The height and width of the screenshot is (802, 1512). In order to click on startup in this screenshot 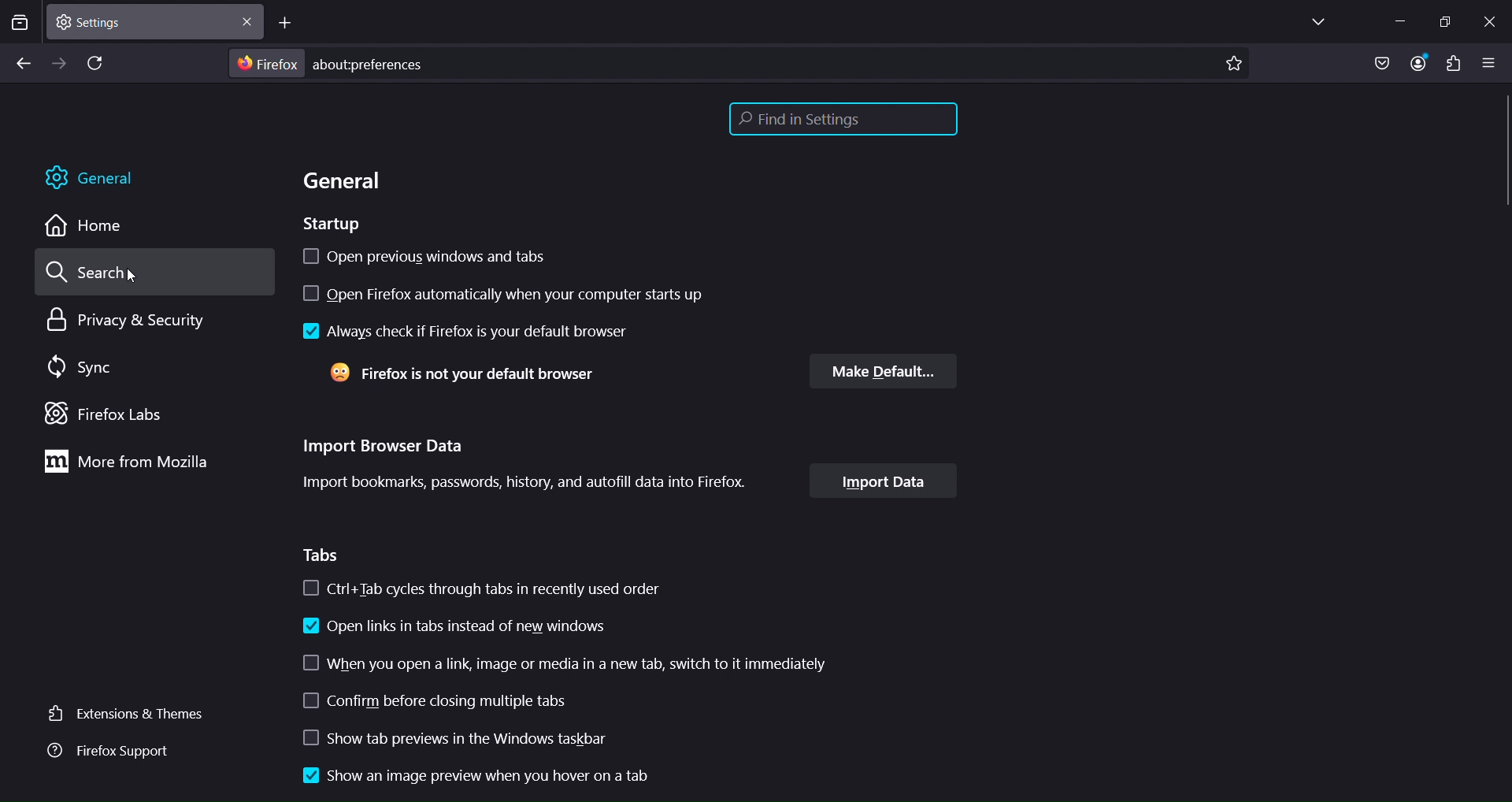, I will do `click(332, 223)`.